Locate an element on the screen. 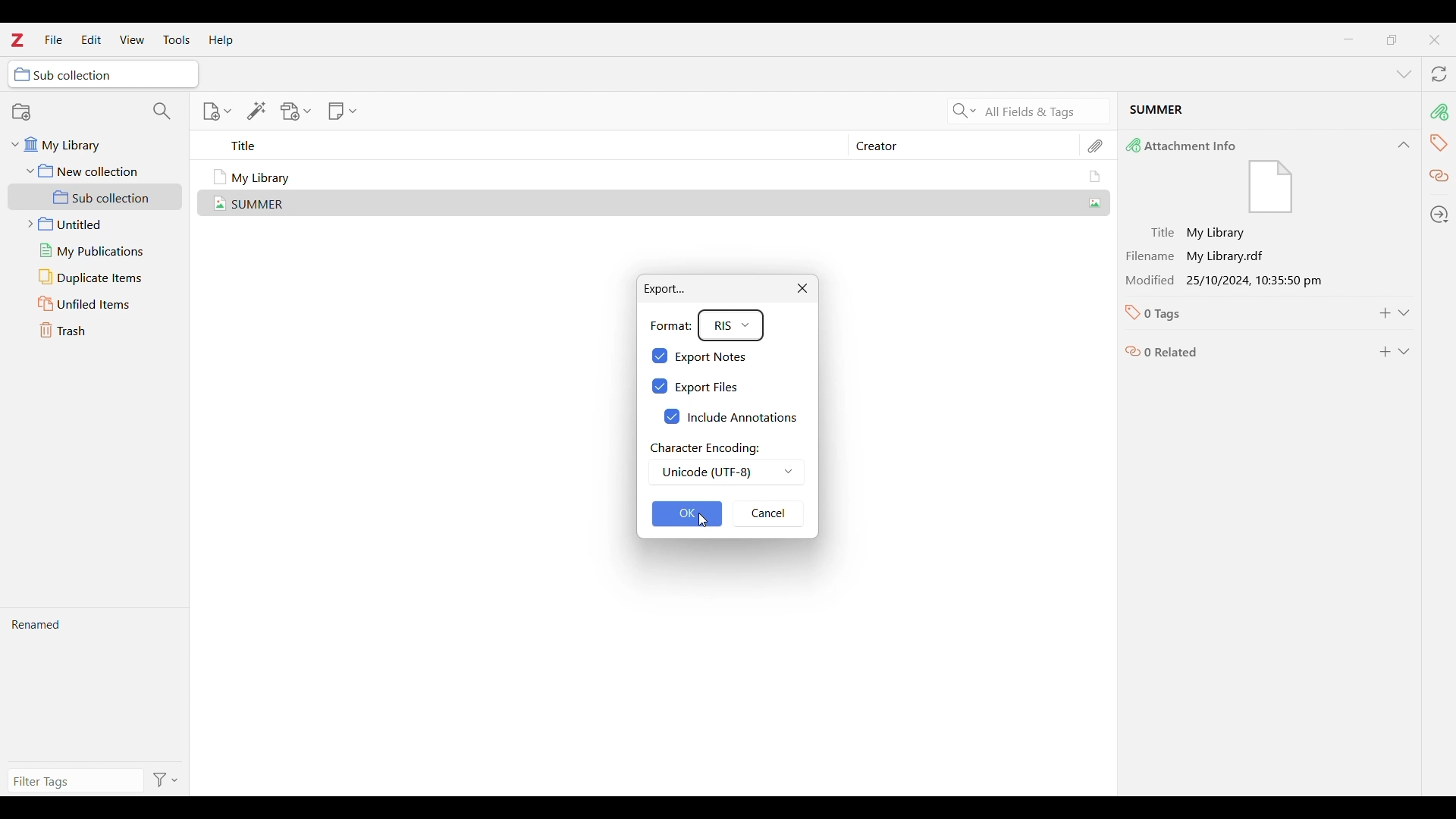  checkbox is located at coordinates (671, 416).